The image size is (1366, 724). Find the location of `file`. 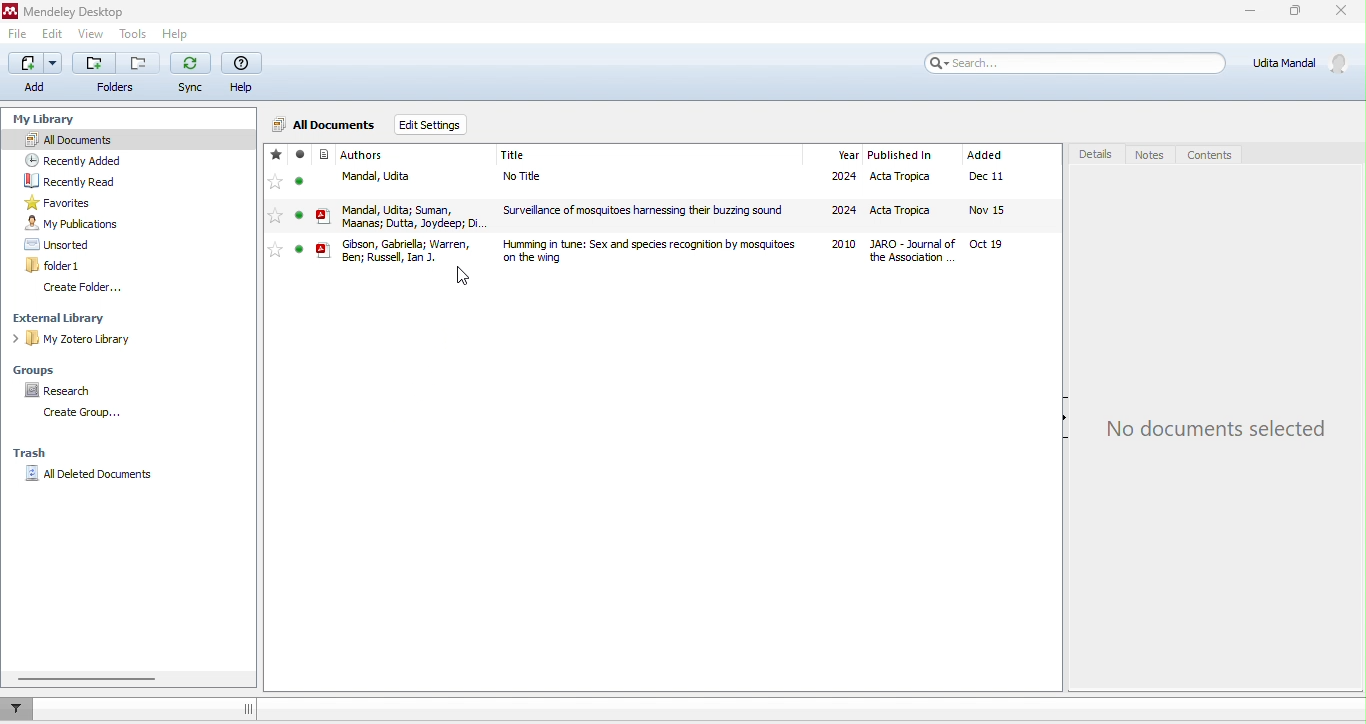

file is located at coordinates (699, 214).